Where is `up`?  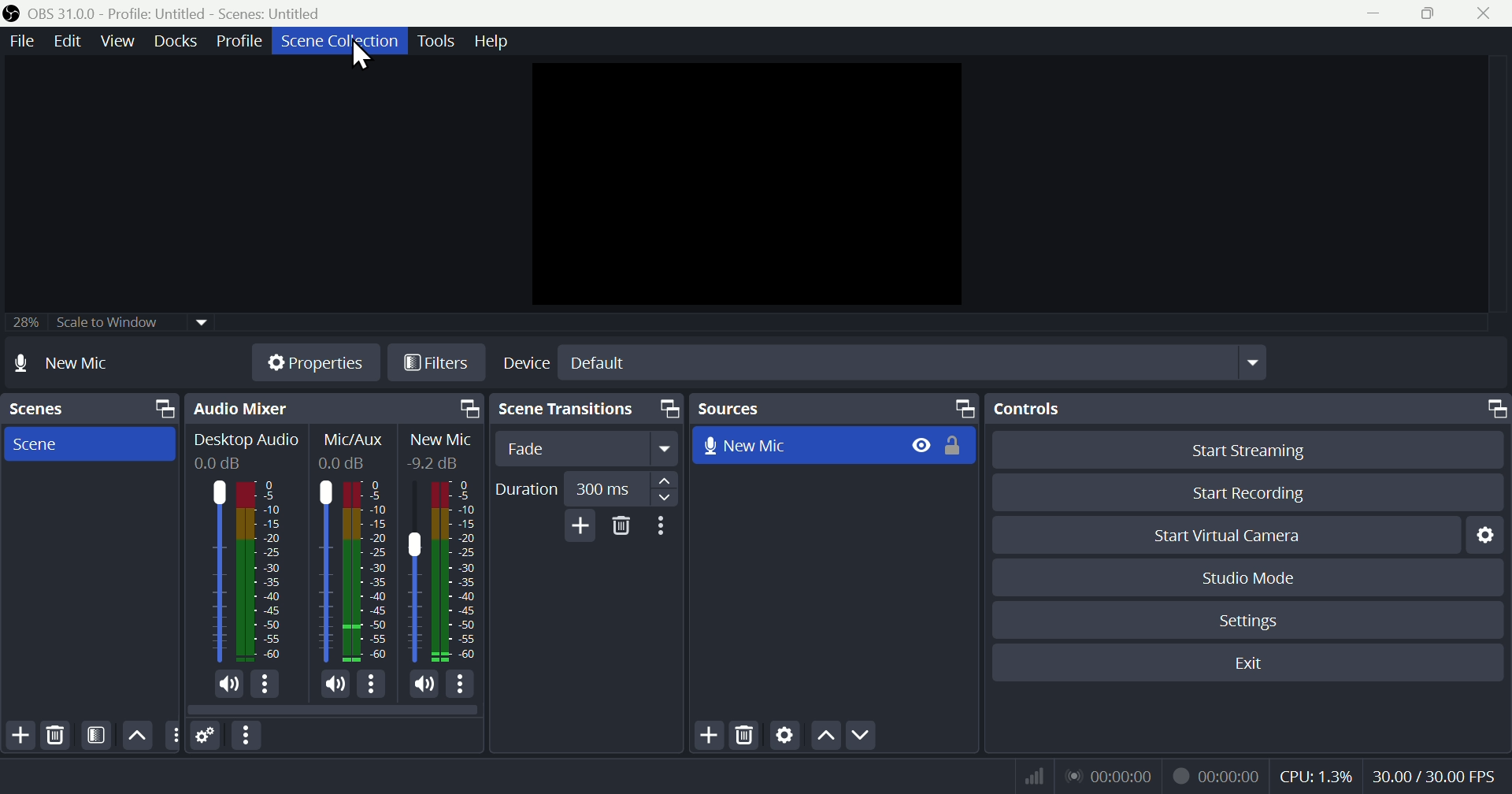
up is located at coordinates (136, 736).